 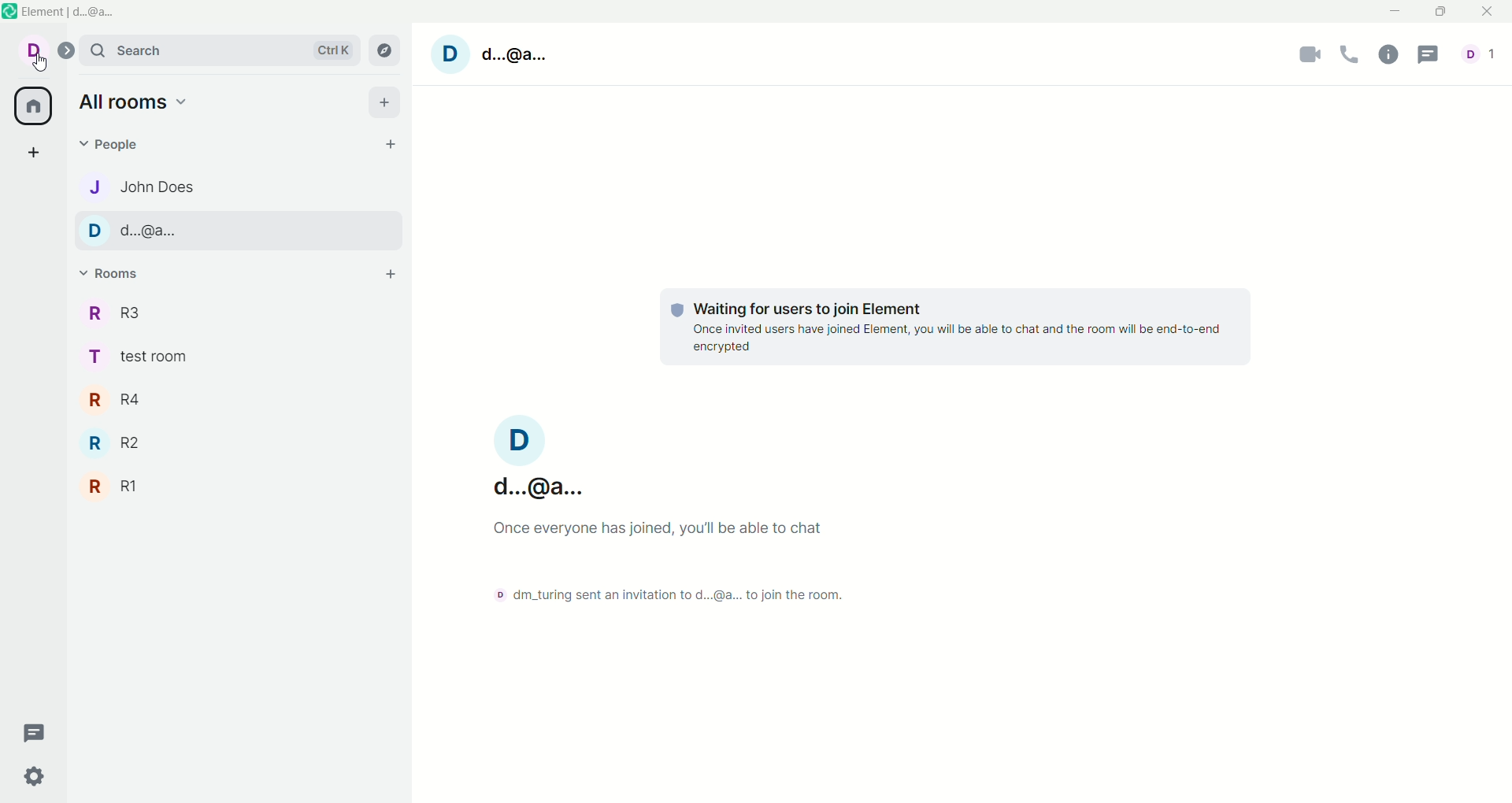 What do you see at coordinates (386, 105) in the screenshot?
I see `add` at bounding box center [386, 105].